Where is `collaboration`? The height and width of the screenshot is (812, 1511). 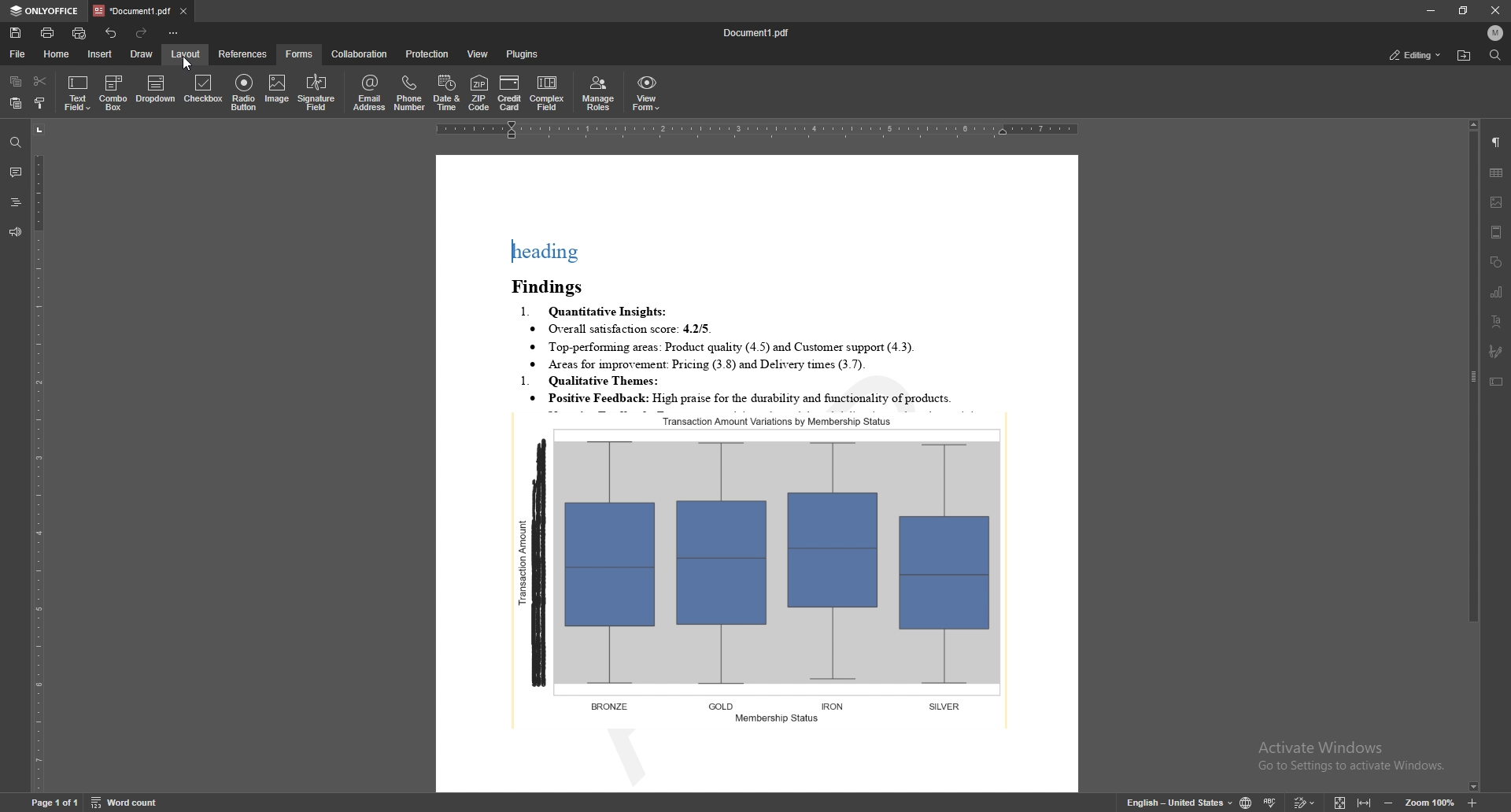 collaboration is located at coordinates (363, 53).